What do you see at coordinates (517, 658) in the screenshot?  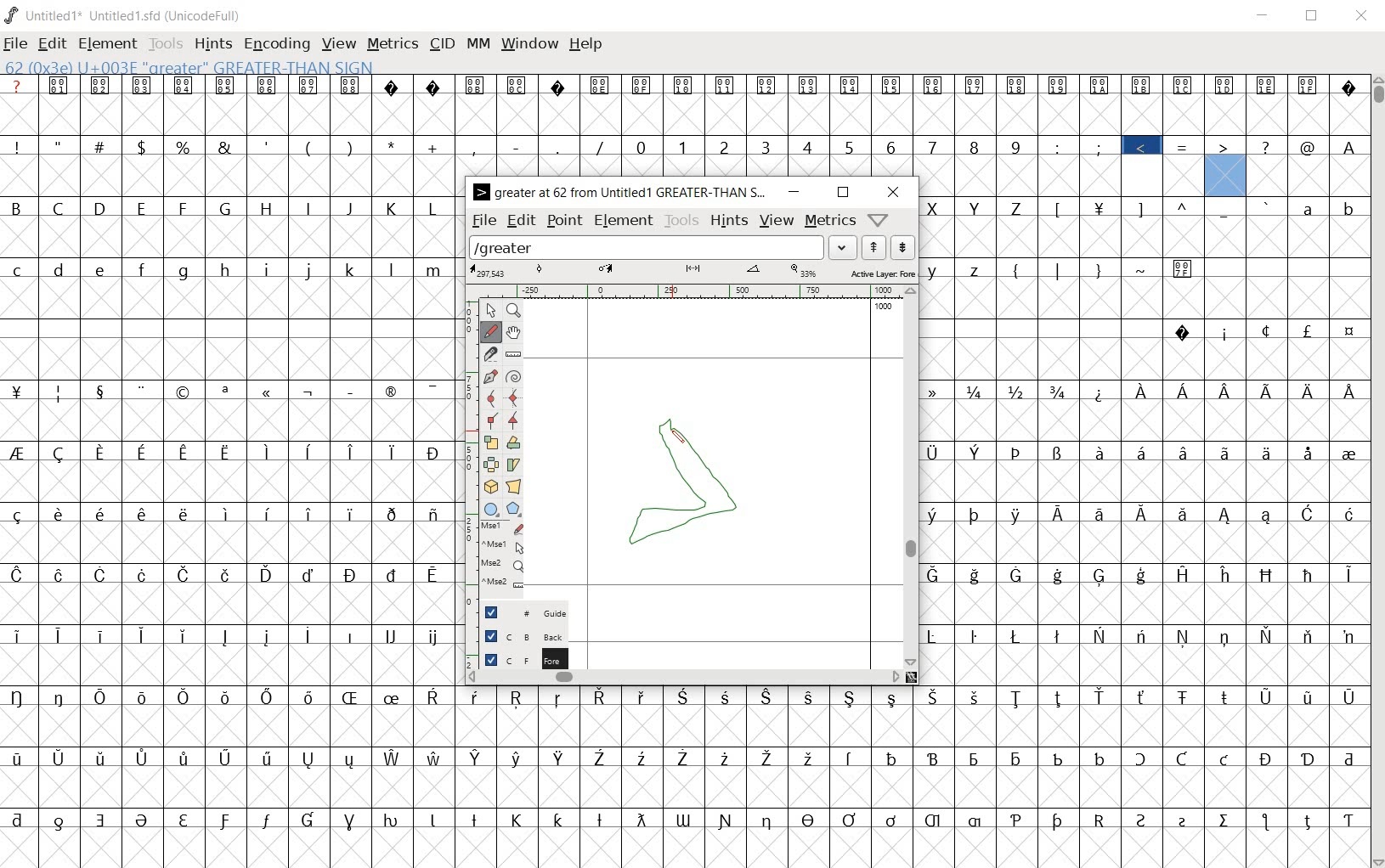 I see `foreground` at bounding box center [517, 658].